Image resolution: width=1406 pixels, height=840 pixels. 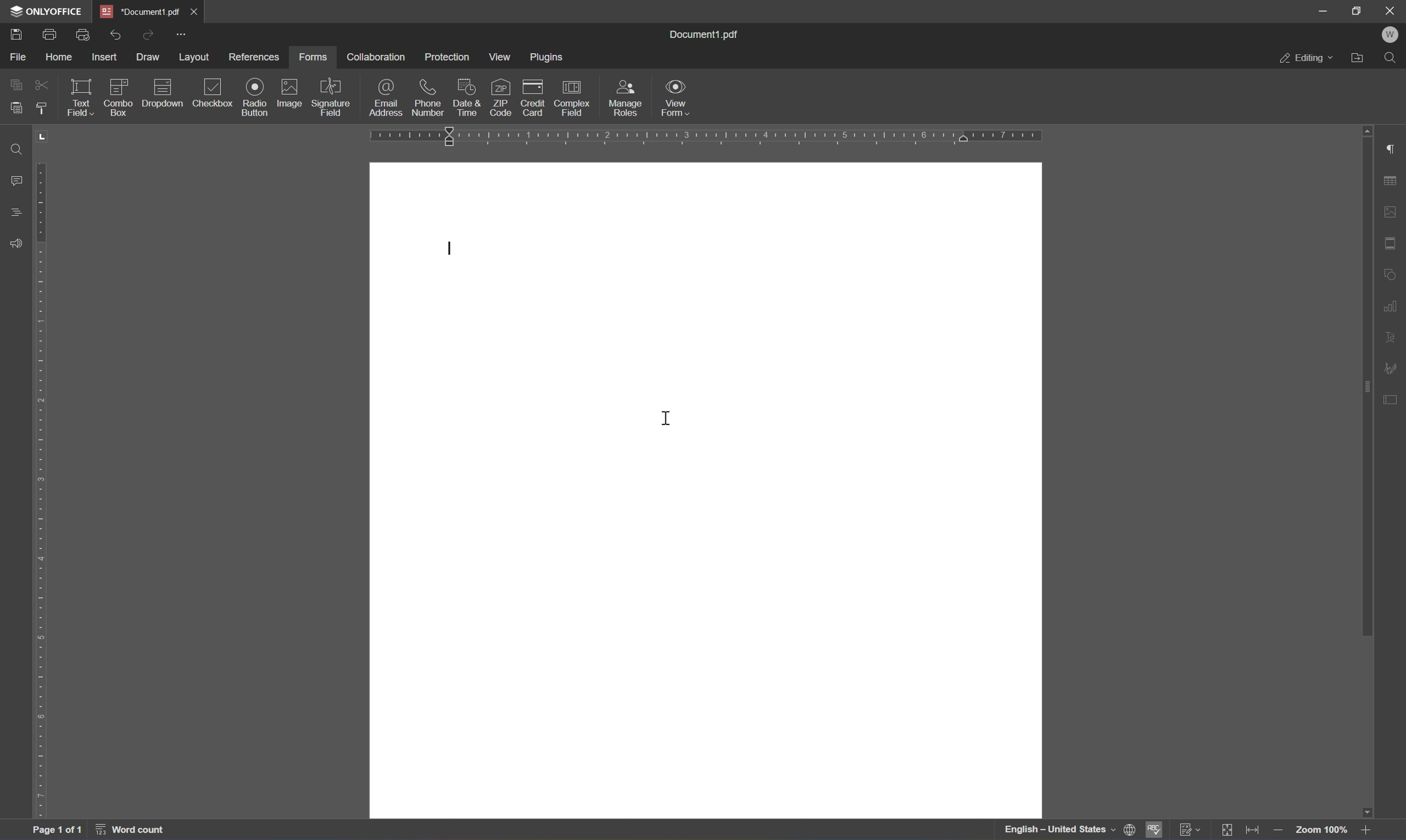 I want to click on email address, so click(x=383, y=97).